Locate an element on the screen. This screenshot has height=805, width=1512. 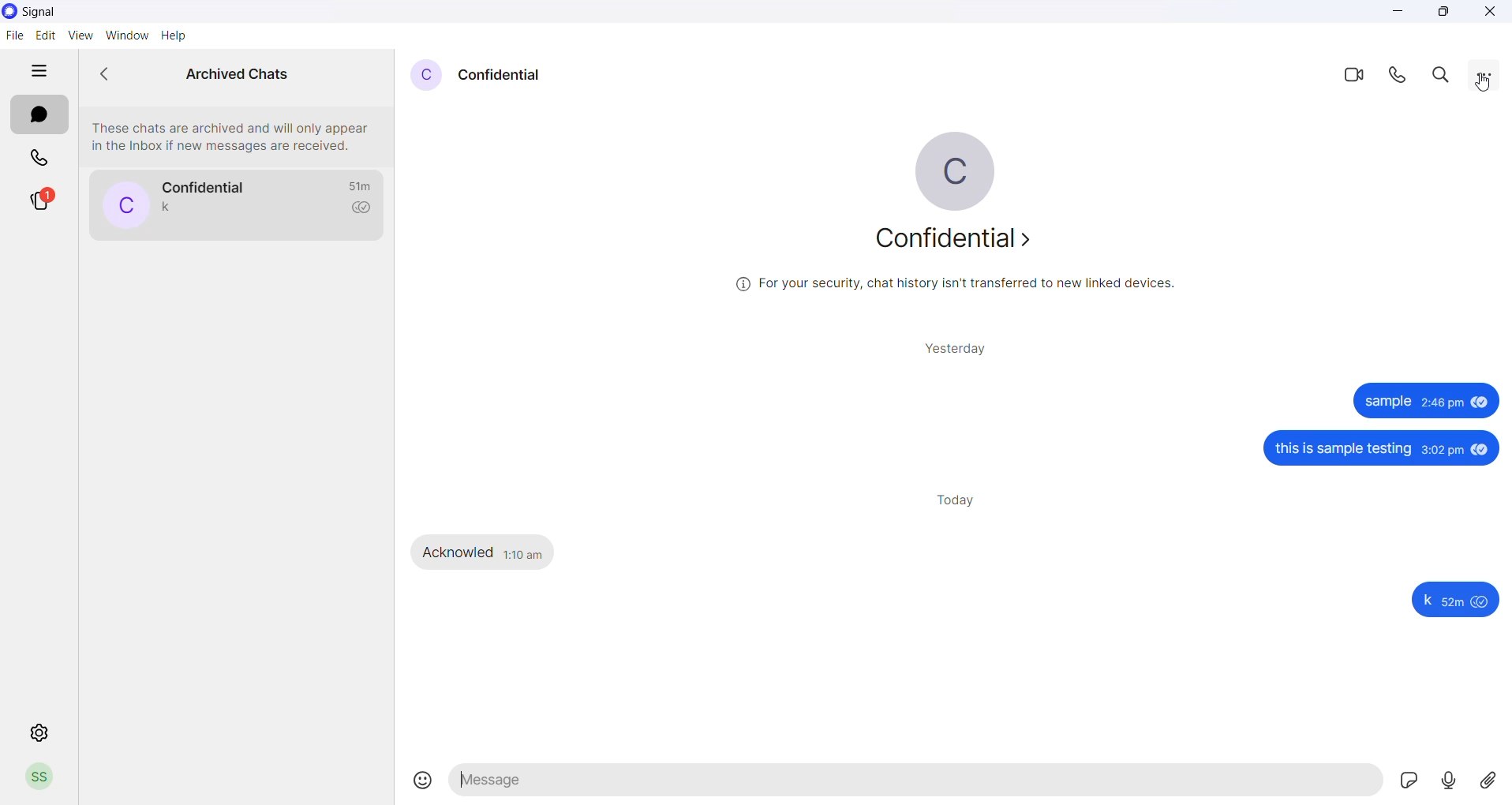
59m is located at coordinates (1455, 605).